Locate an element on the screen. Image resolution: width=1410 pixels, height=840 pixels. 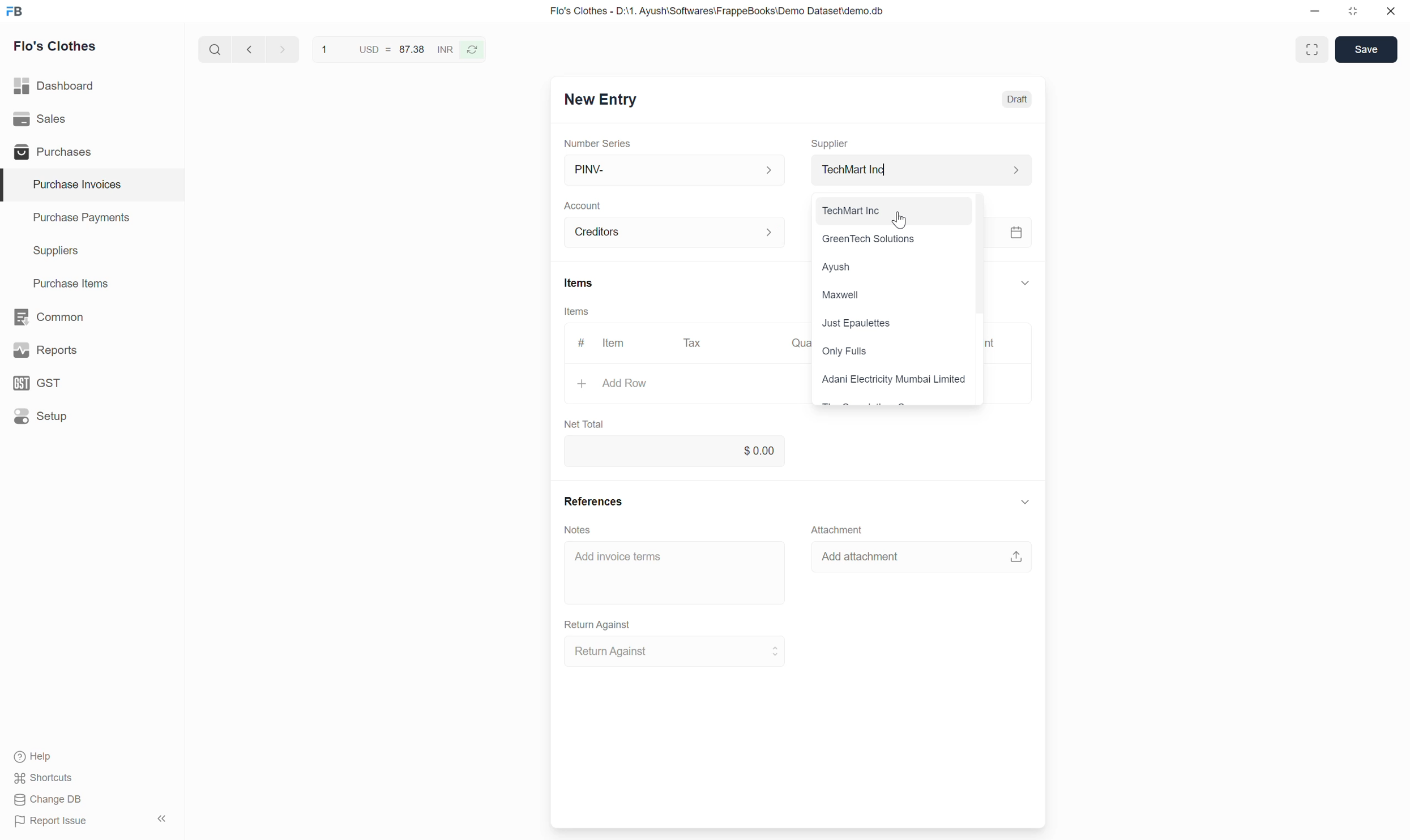
Supplier is located at coordinates (916, 170).